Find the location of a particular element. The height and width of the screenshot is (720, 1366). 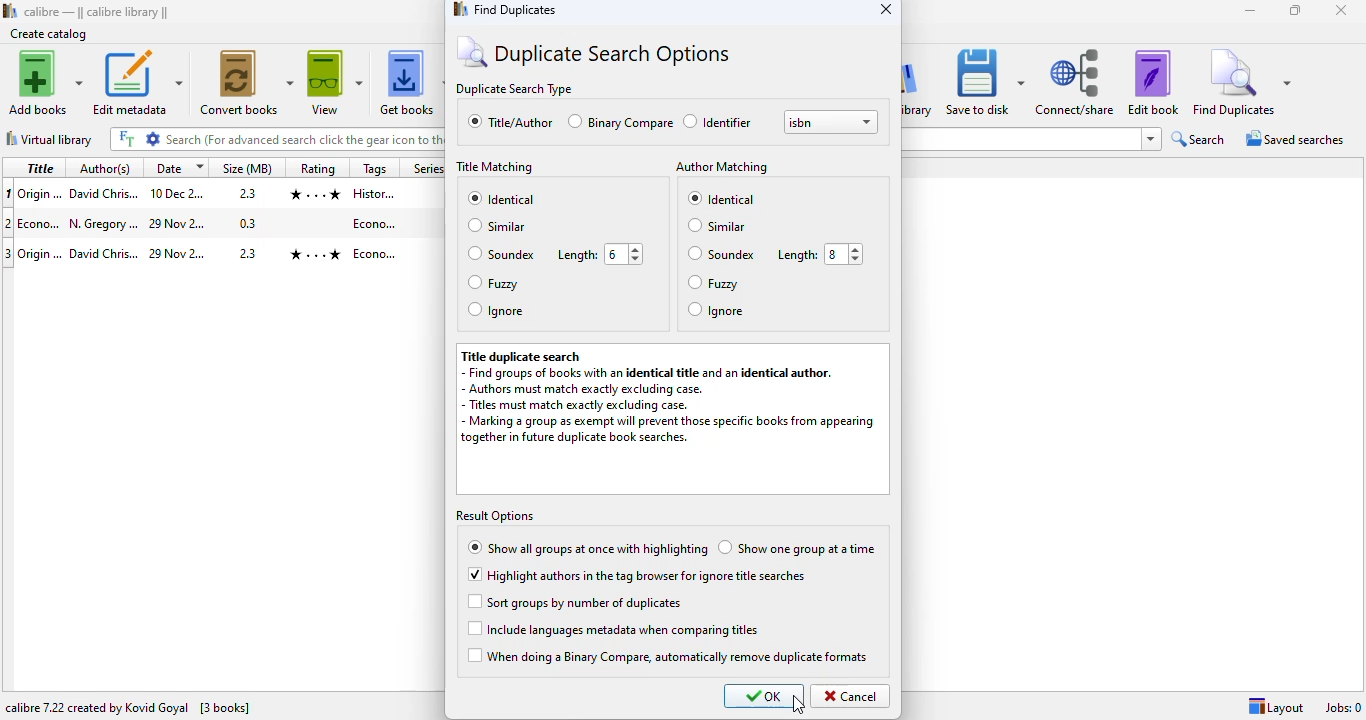

edit book is located at coordinates (1154, 83).